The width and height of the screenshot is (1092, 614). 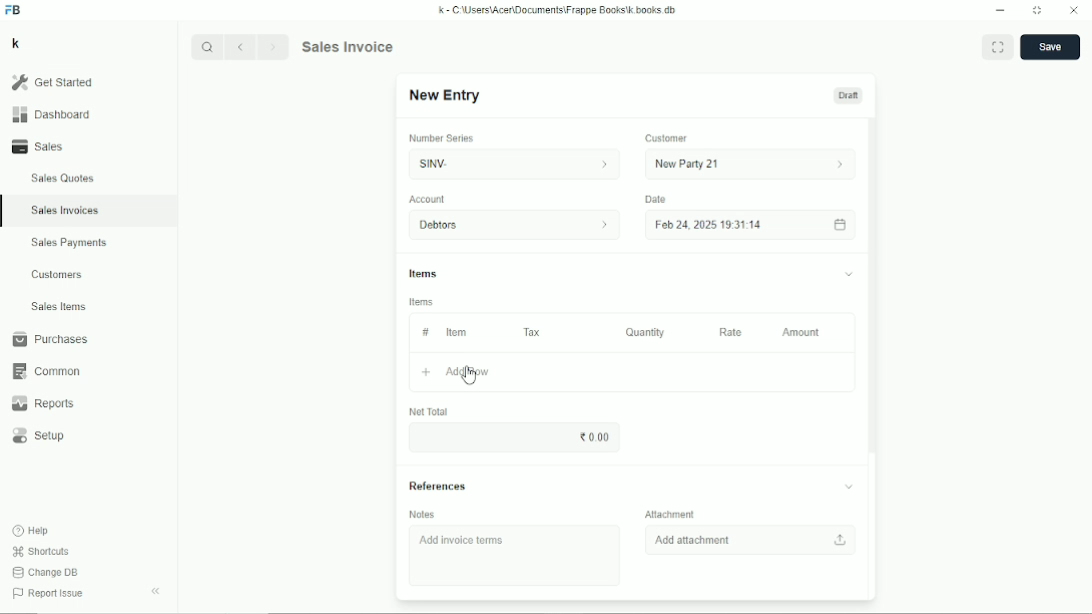 What do you see at coordinates (848, 95) in the screenshot?
I see `Draft` at bounding box center [848, 95].